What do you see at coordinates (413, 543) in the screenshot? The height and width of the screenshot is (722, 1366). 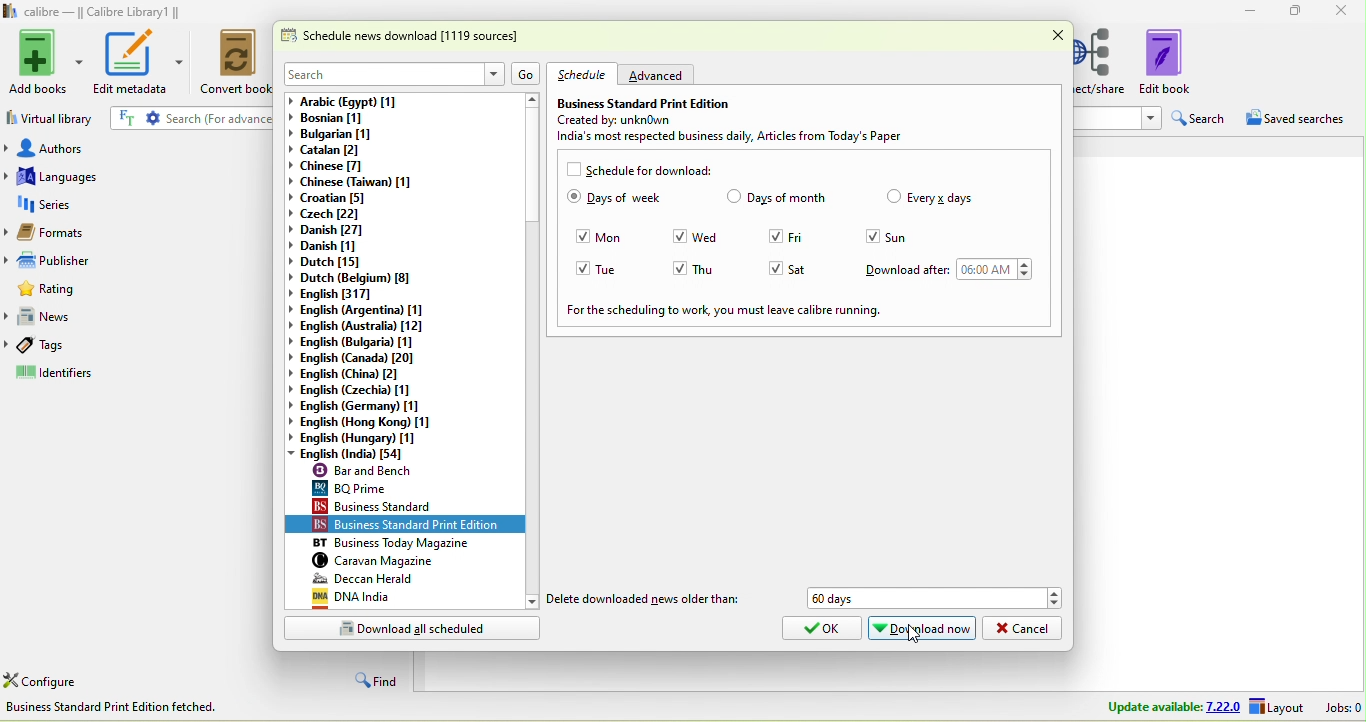 I see `business today magazine` at bounding box center [413, 543].